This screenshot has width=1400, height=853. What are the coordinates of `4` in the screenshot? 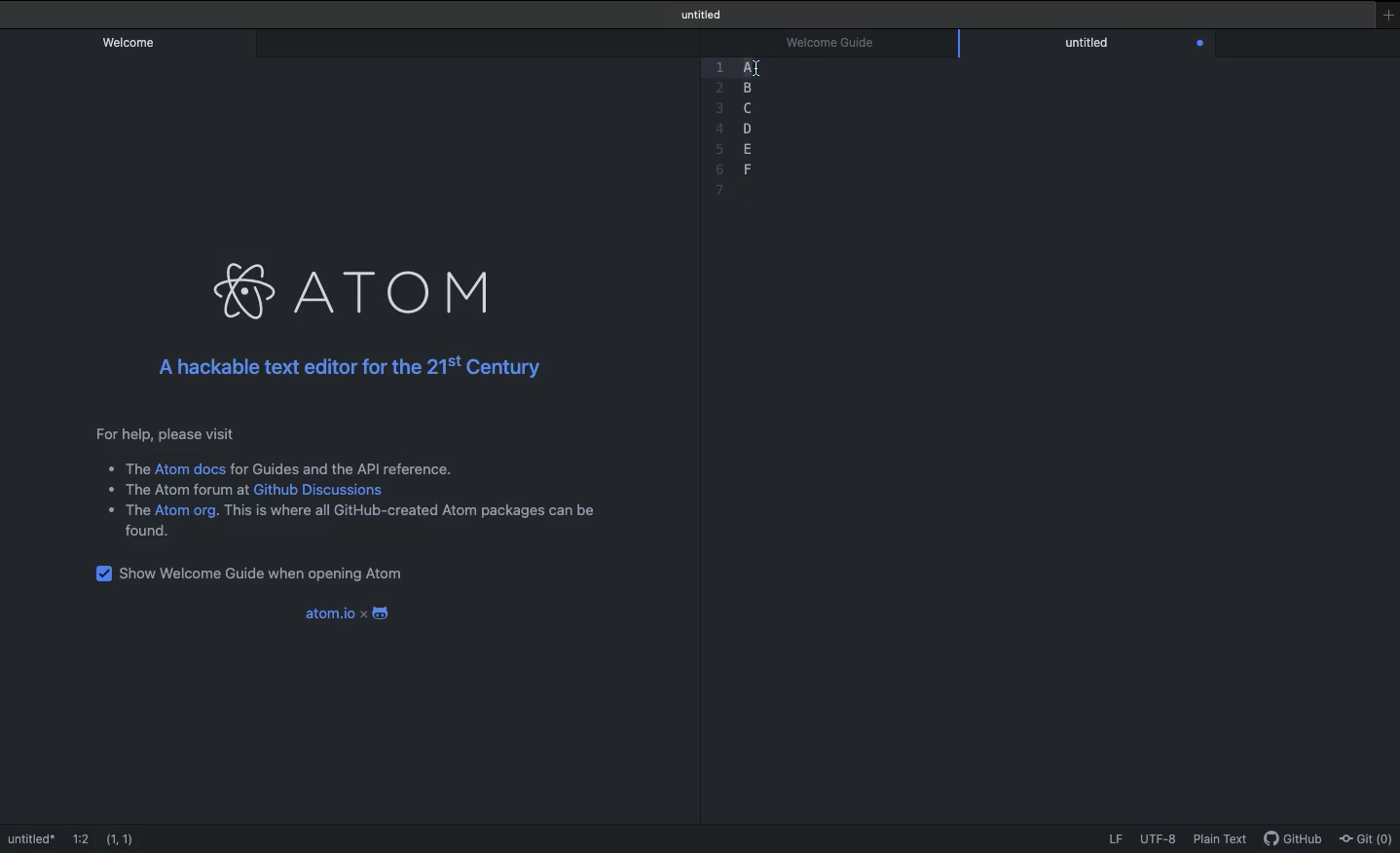 It's located at (717, 128).